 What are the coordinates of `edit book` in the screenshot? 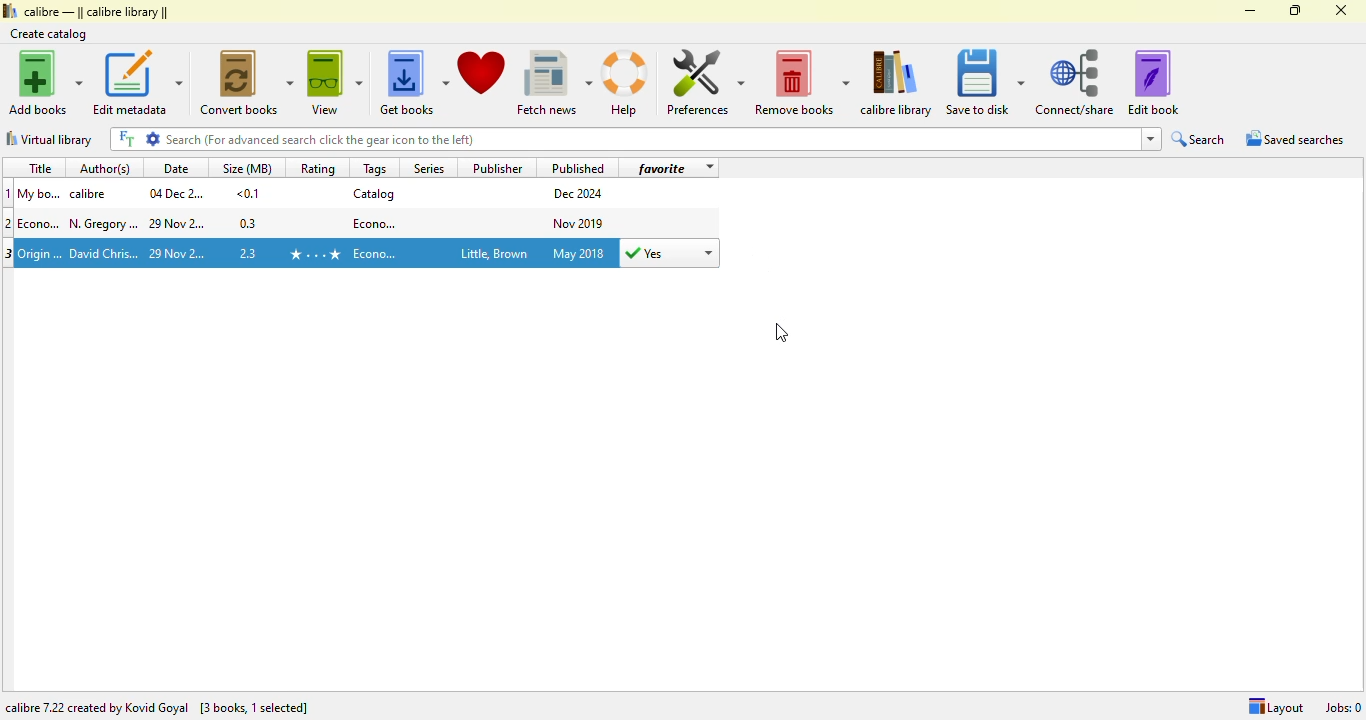 It's located at (1153, 82).